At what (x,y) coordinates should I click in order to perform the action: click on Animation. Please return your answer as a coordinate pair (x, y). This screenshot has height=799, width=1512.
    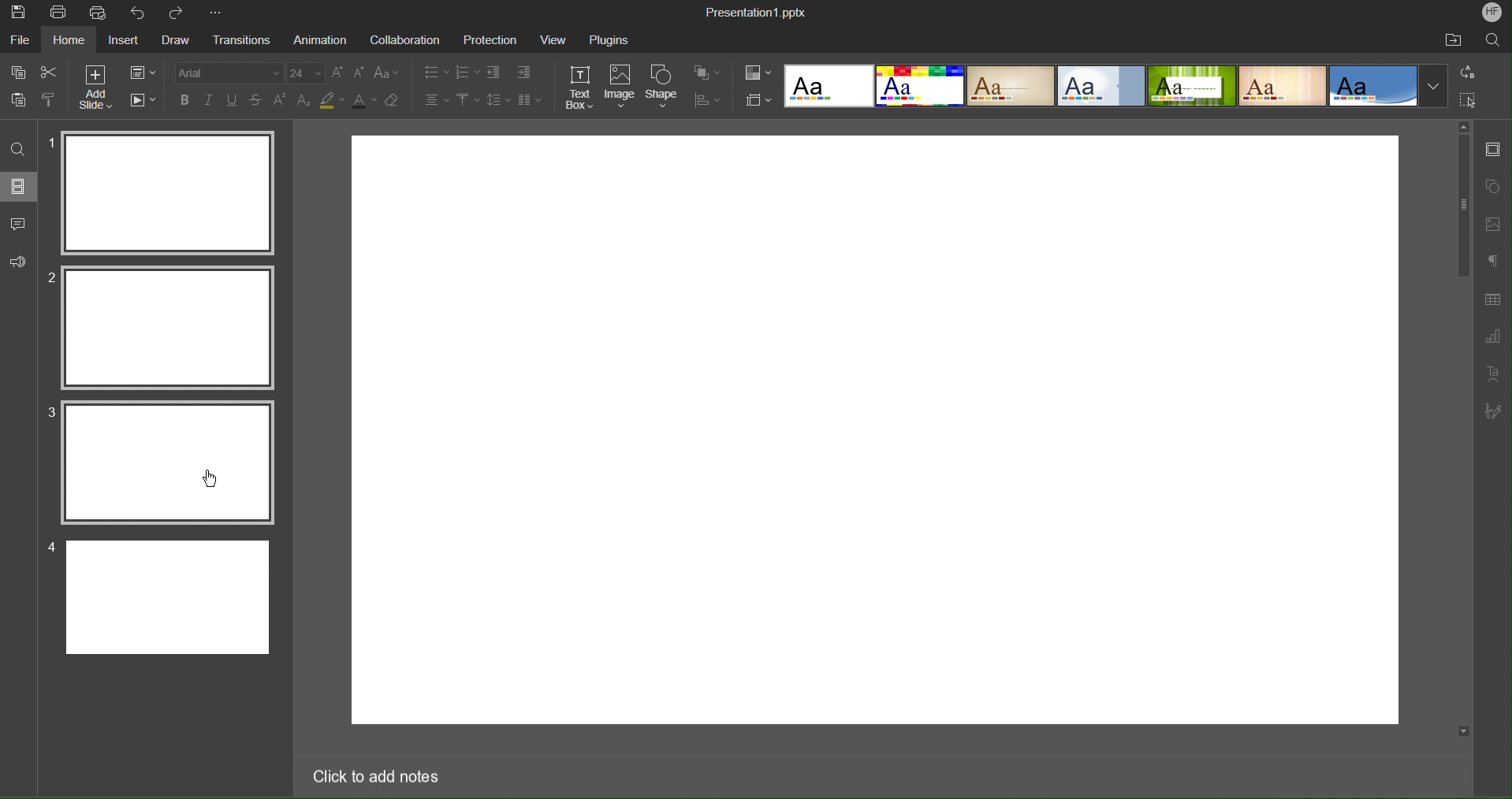
    Looking at the image, I should click on (319, 40).